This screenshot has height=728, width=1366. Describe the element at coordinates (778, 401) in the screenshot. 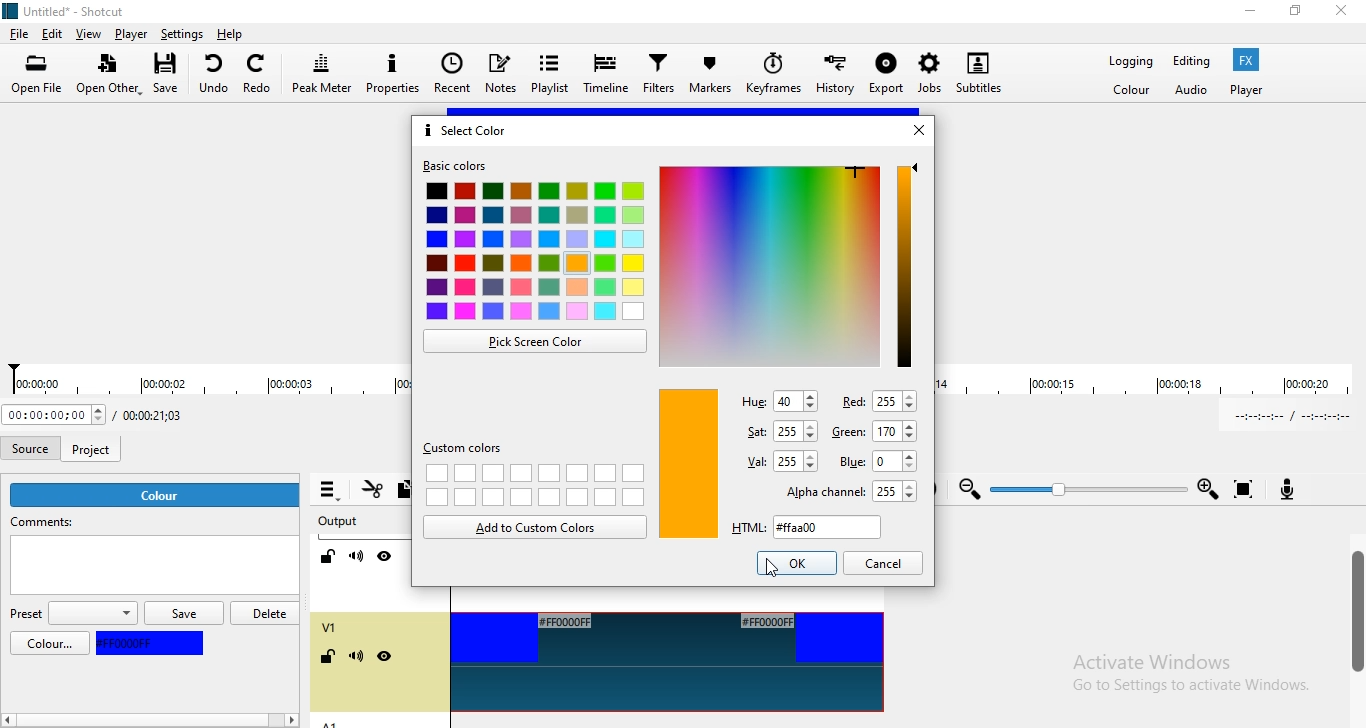

I see `hue` at that location.